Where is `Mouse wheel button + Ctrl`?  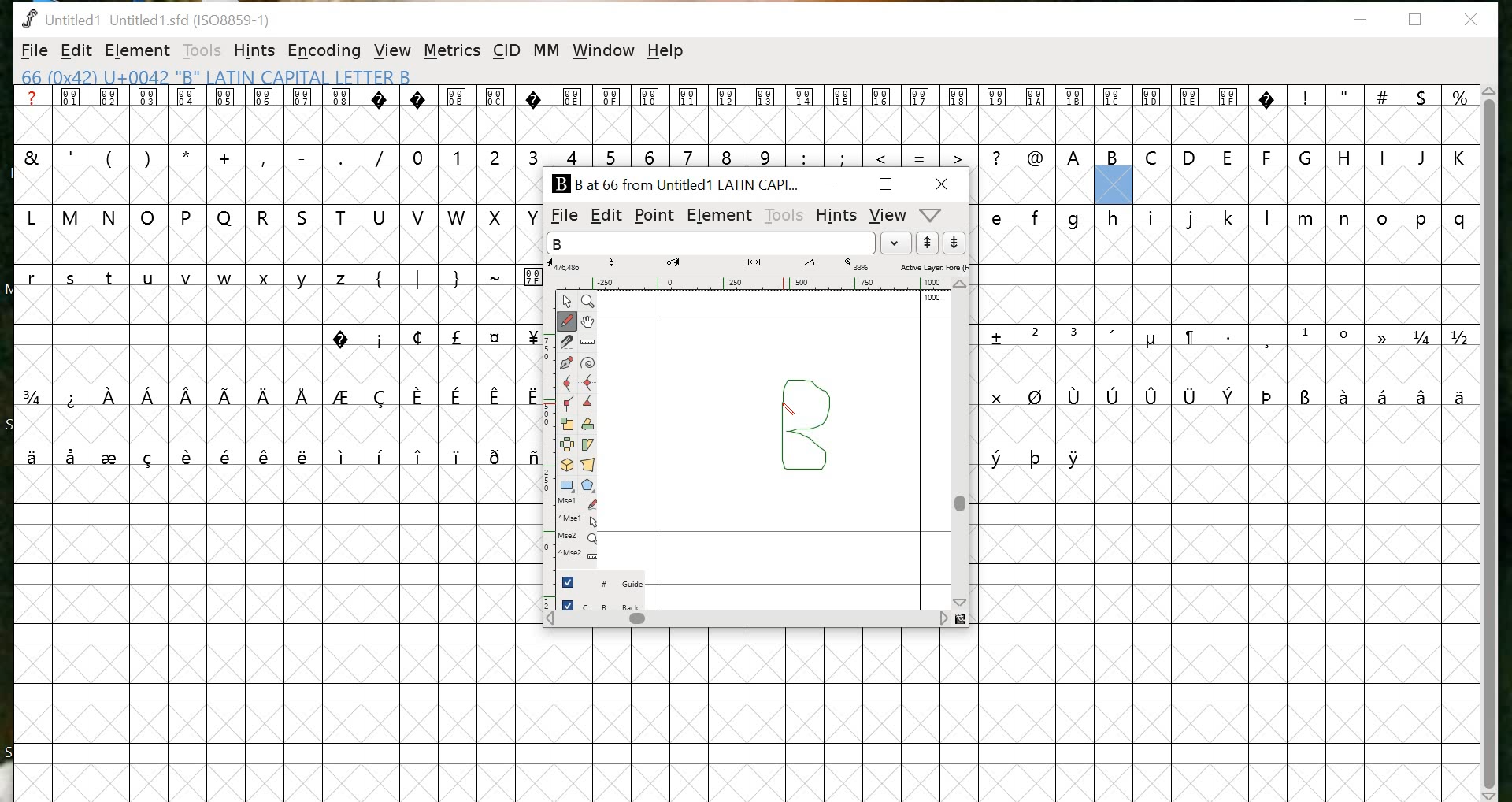
Mouse wheel button + Ctrl is located at coordinates (579, 555).